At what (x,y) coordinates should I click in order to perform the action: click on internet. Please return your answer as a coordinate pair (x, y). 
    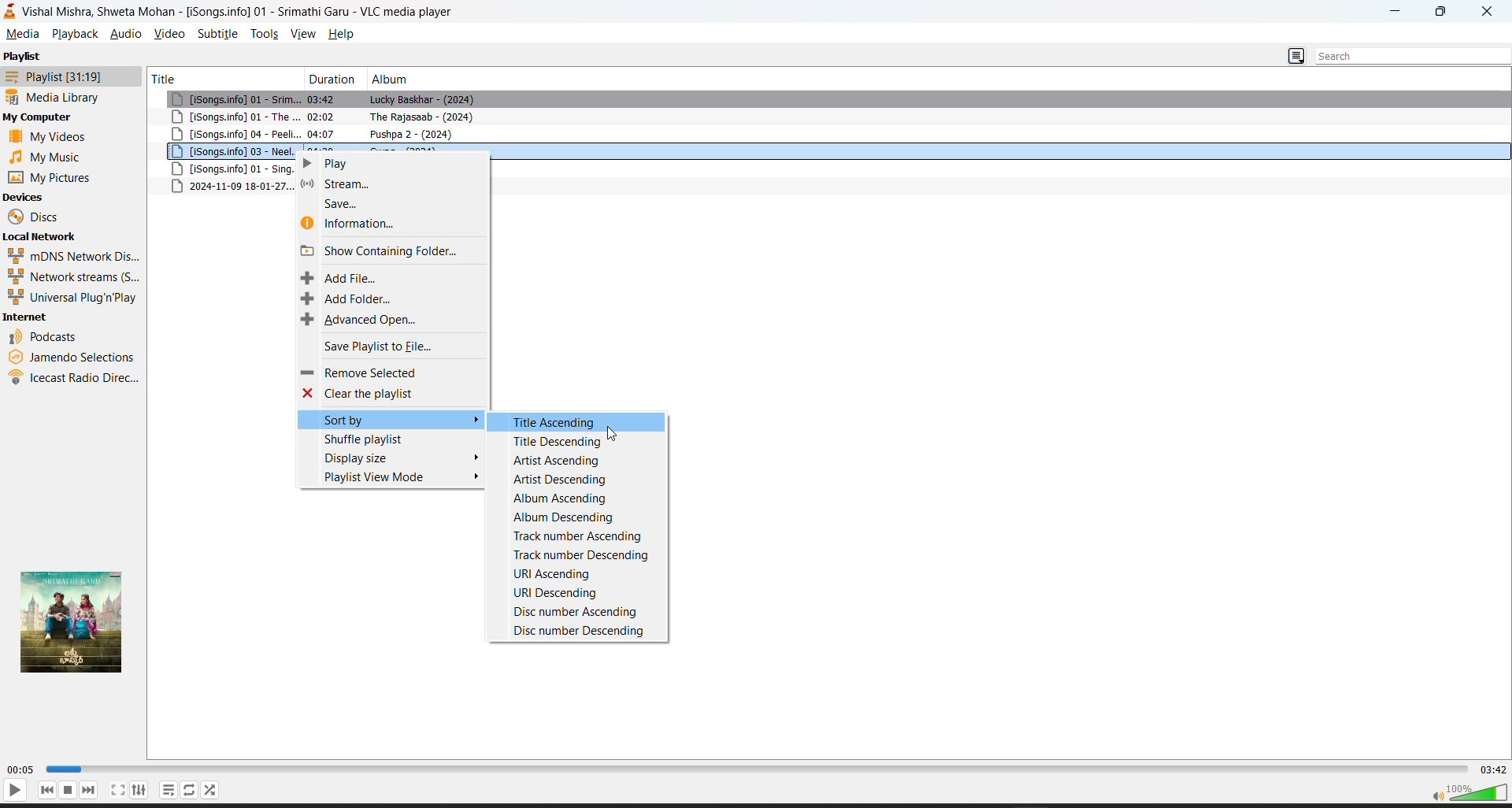
    Looking at the image, I should click on (25, 317).